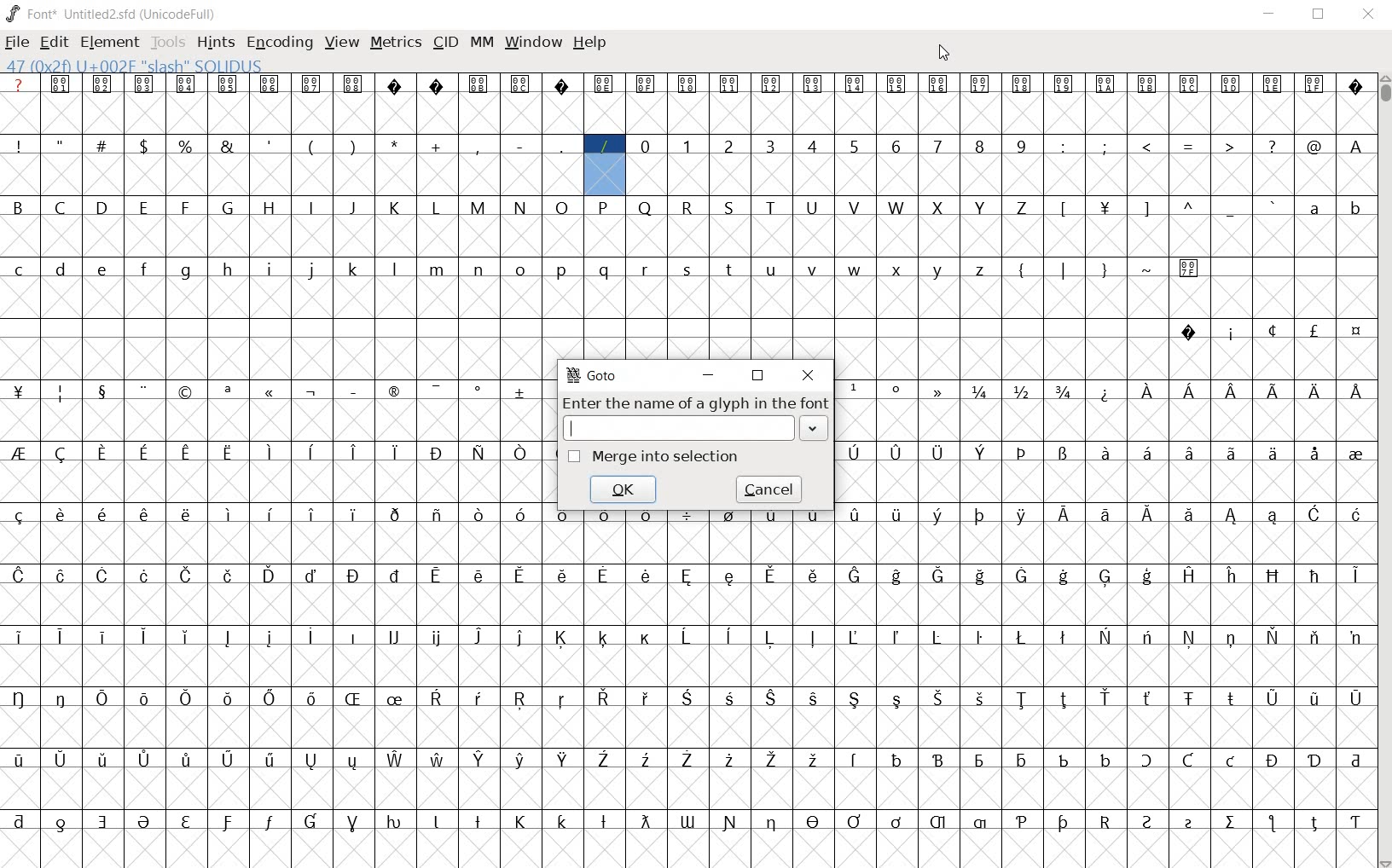 The image size is (1392, 868). What do you see at coordinates (311, 206) in the screenshot?
I see `glyph` at bounding box center [311, 206].